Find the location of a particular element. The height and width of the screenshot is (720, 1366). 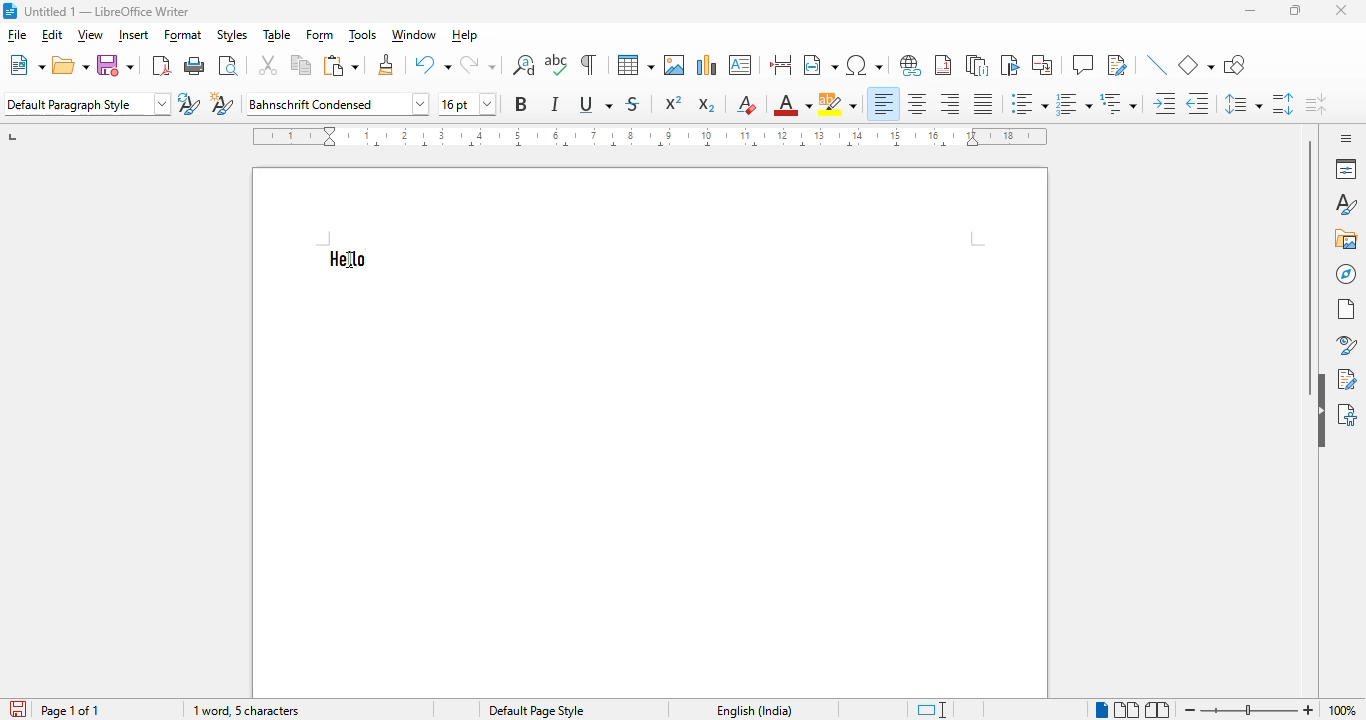

paste is located at coordinates (342, 65).